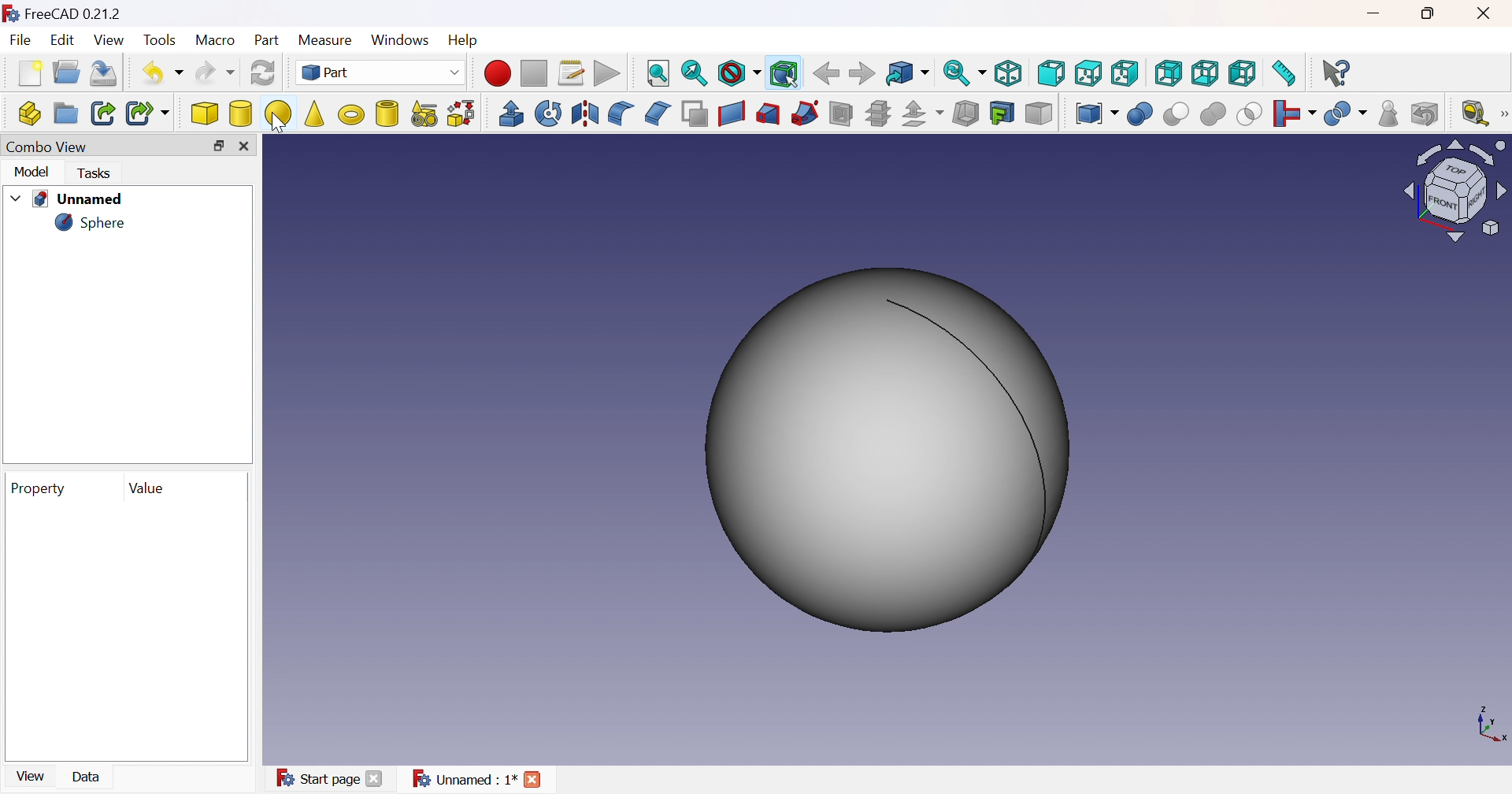 This screenshot has width=1512, height=794. Describe the element at coordinates (695, 114) in the screenshot. I see `Make face from wires` at that location.